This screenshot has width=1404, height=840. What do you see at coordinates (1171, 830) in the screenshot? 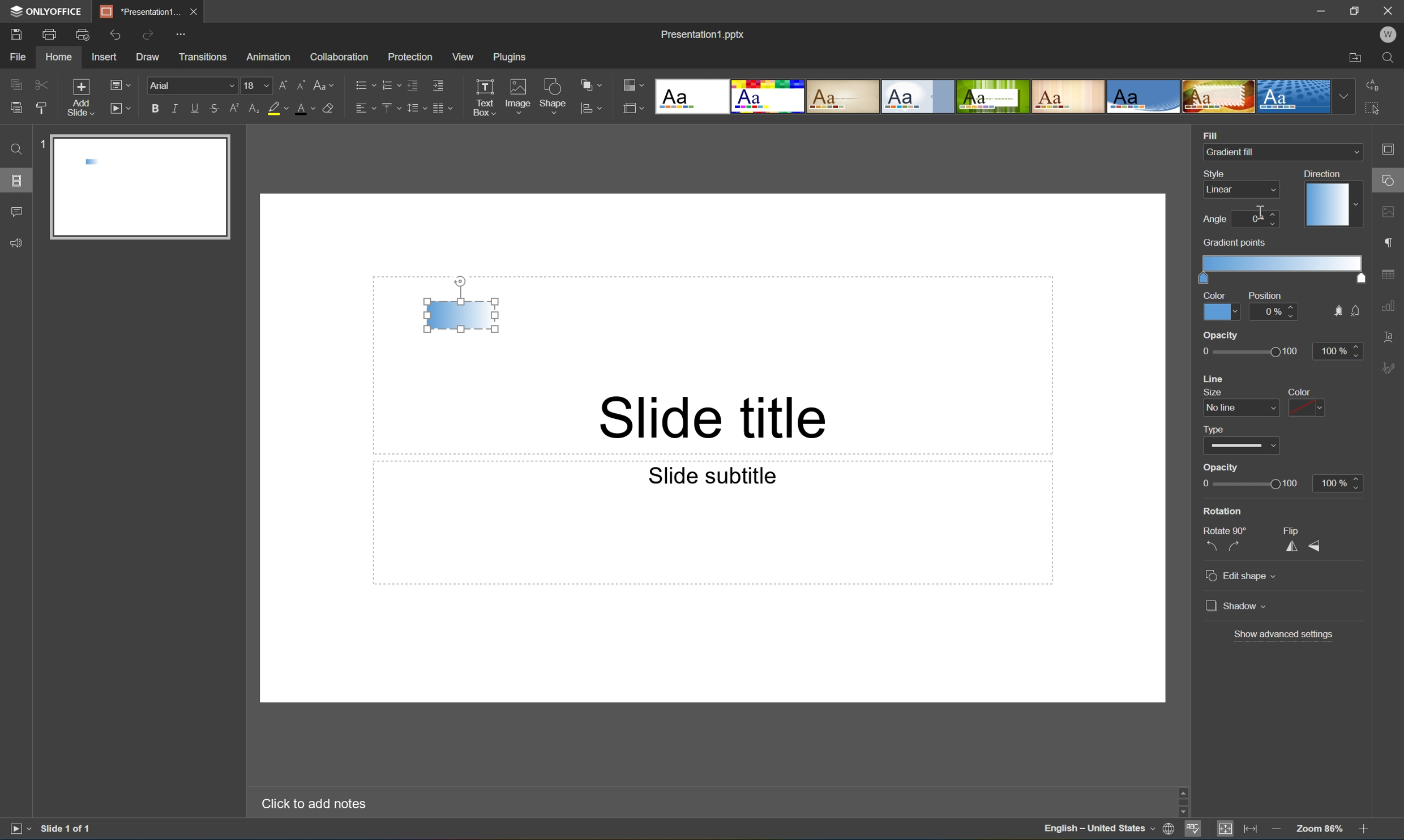
I see `Set document language` at bounding box center [1171, 830].